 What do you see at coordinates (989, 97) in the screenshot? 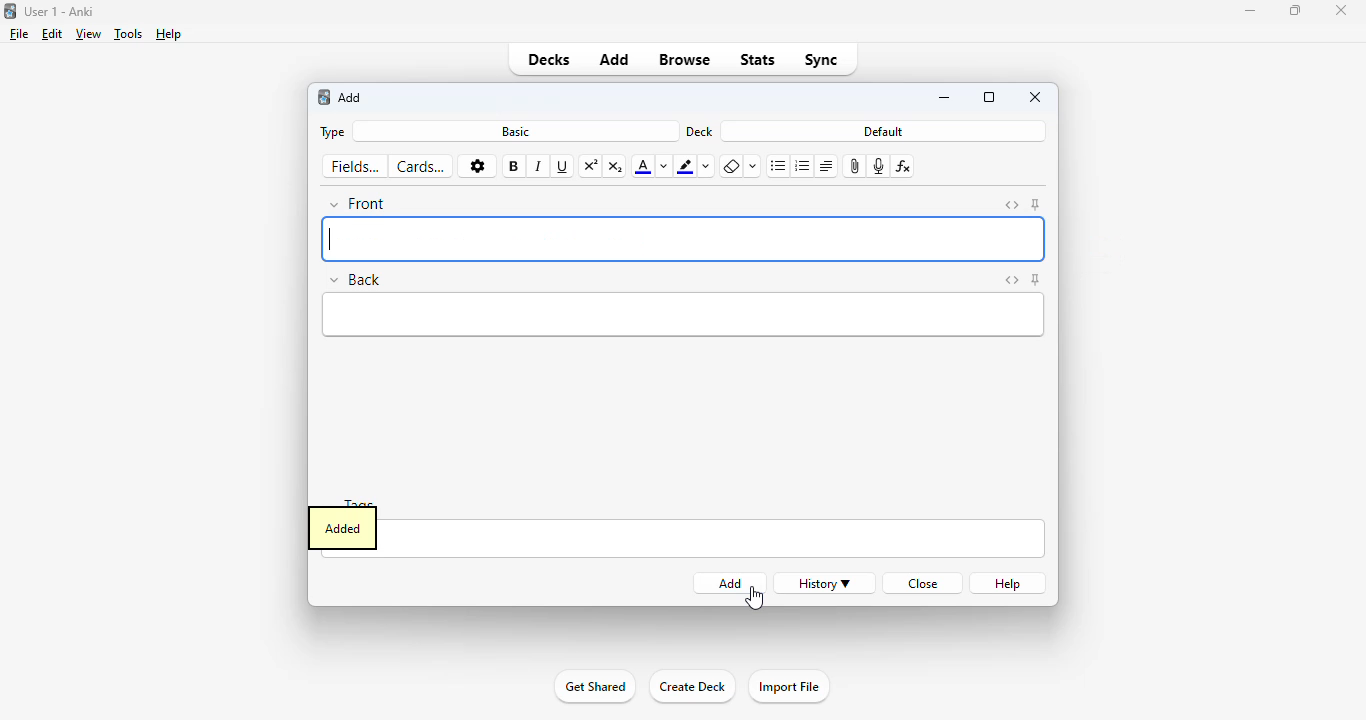
I see `maximize` at bounding box center [989, 97].